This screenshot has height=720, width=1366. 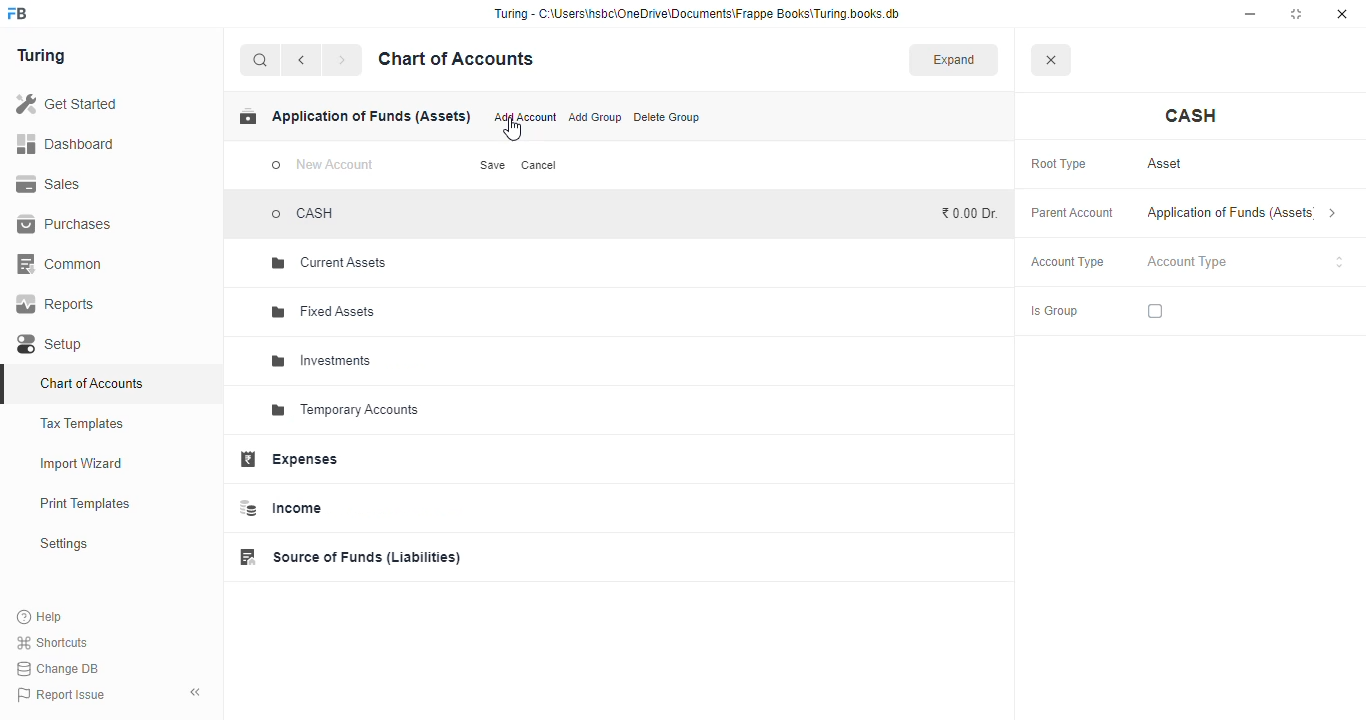 I want to click on source of funds (liabilities), so click(x=351, y=557).